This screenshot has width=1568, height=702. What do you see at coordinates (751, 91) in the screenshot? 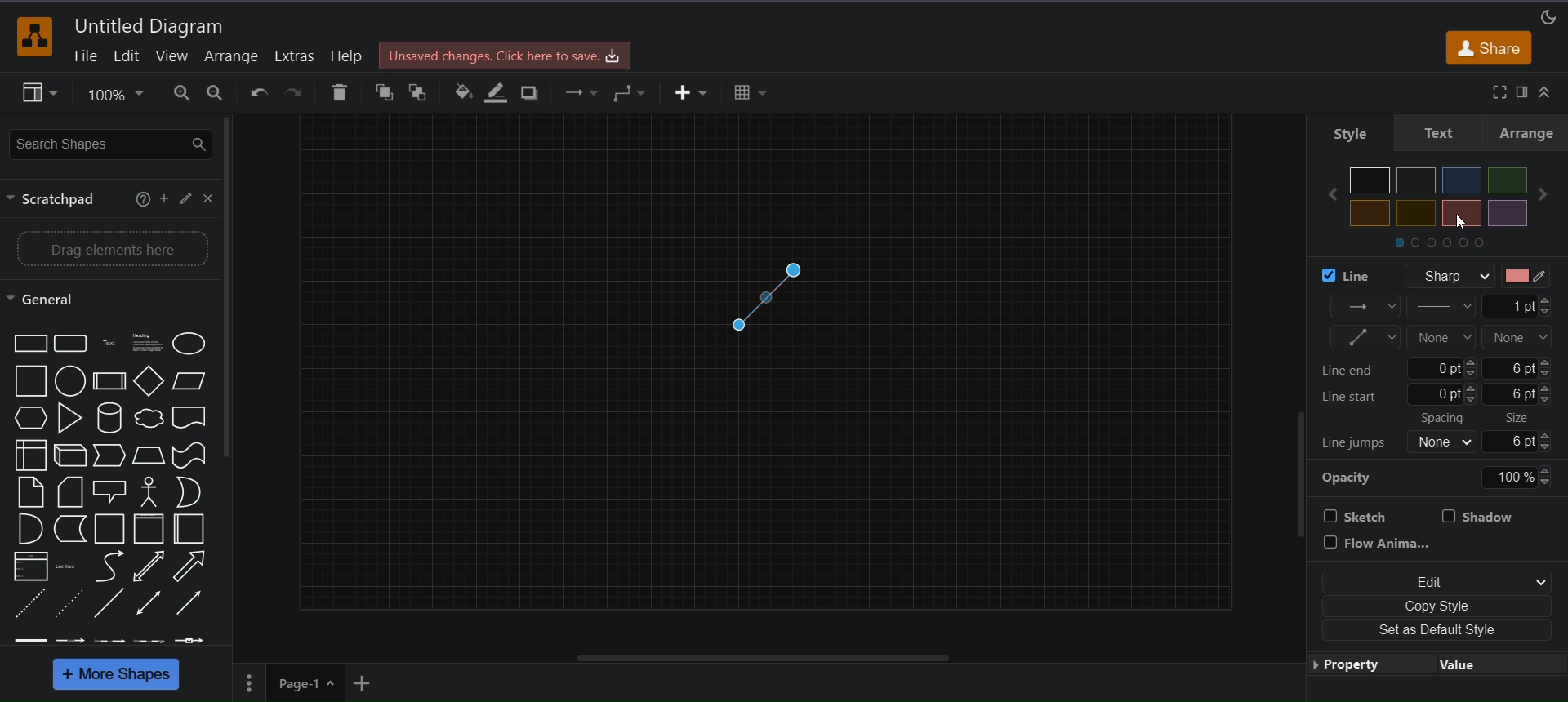
I see `table` at bounding box center [751, 91].